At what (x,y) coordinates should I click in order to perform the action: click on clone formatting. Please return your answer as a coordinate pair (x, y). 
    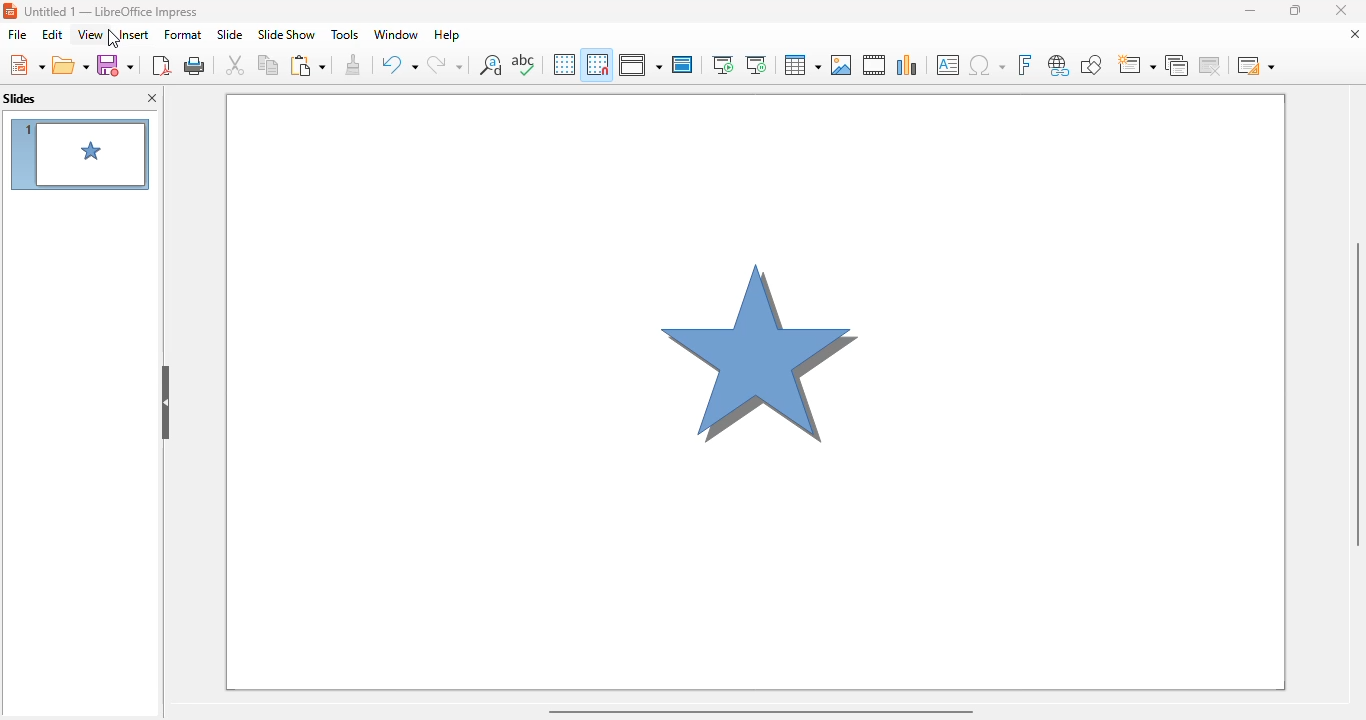
    Looking at the image, I should click on (354, 64).